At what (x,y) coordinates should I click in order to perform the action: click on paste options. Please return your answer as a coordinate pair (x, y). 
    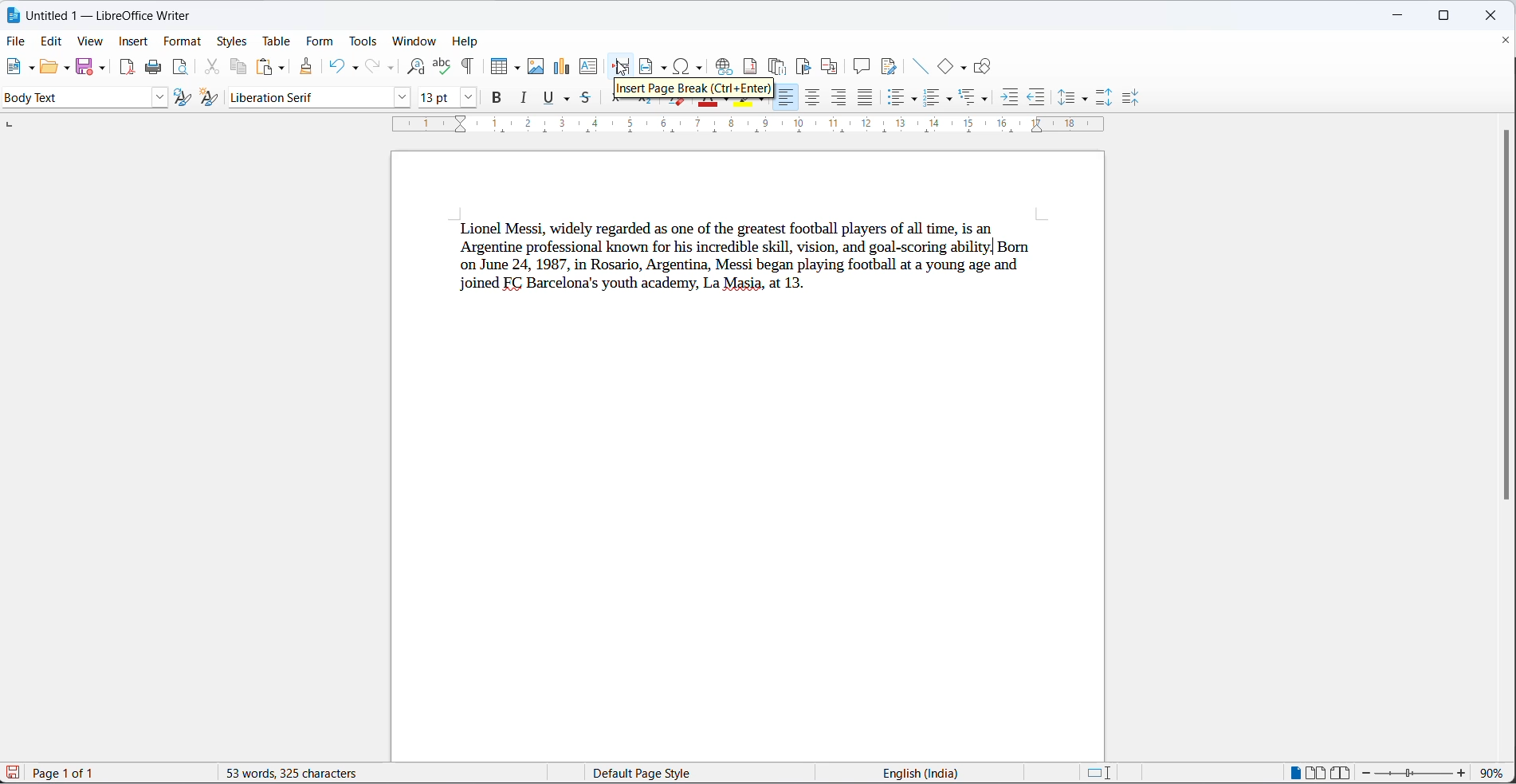
    Looking at the image, I should click on (262, 69).